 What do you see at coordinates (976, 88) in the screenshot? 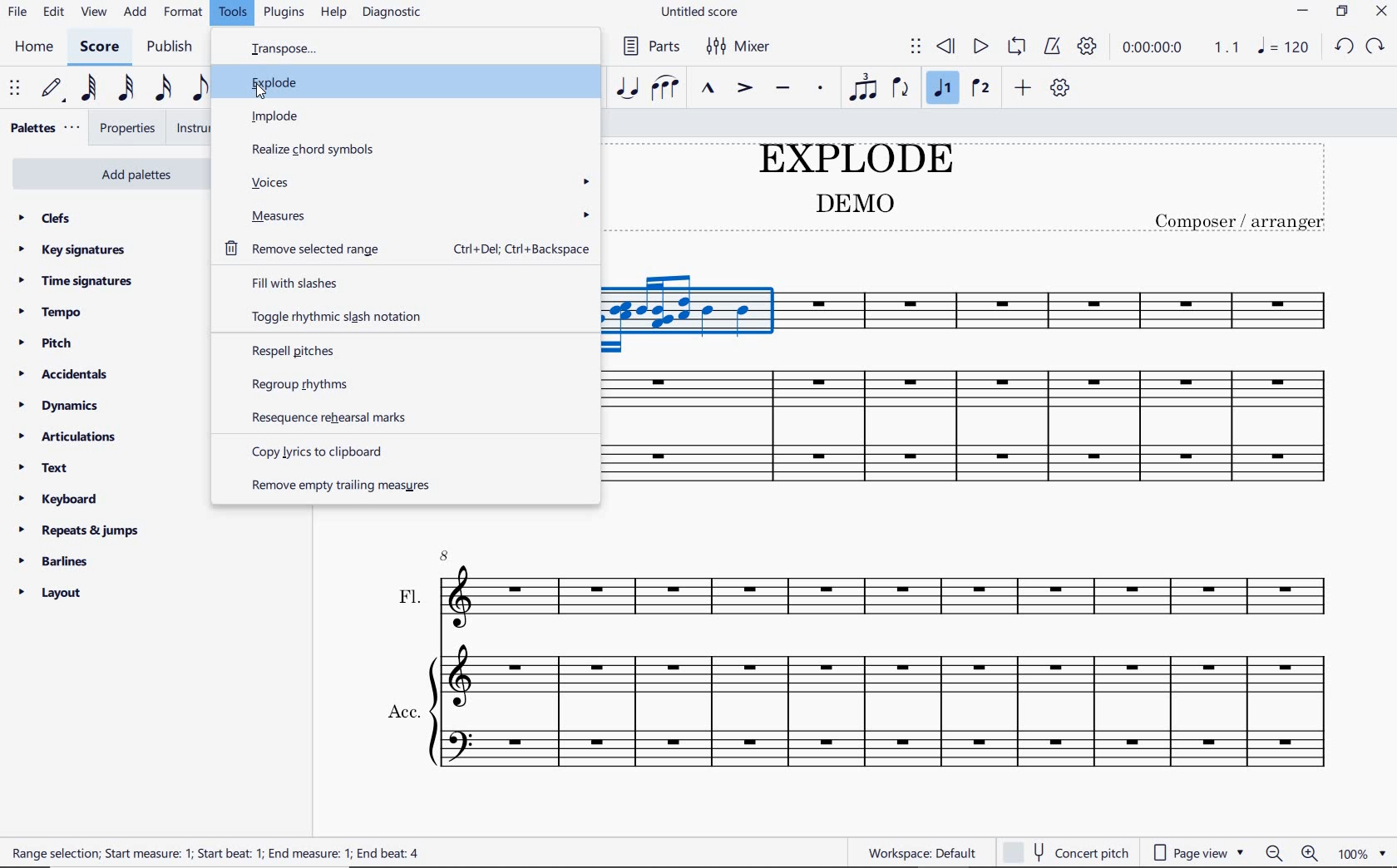
I see `voice 2` at bounding box center [976, 88].